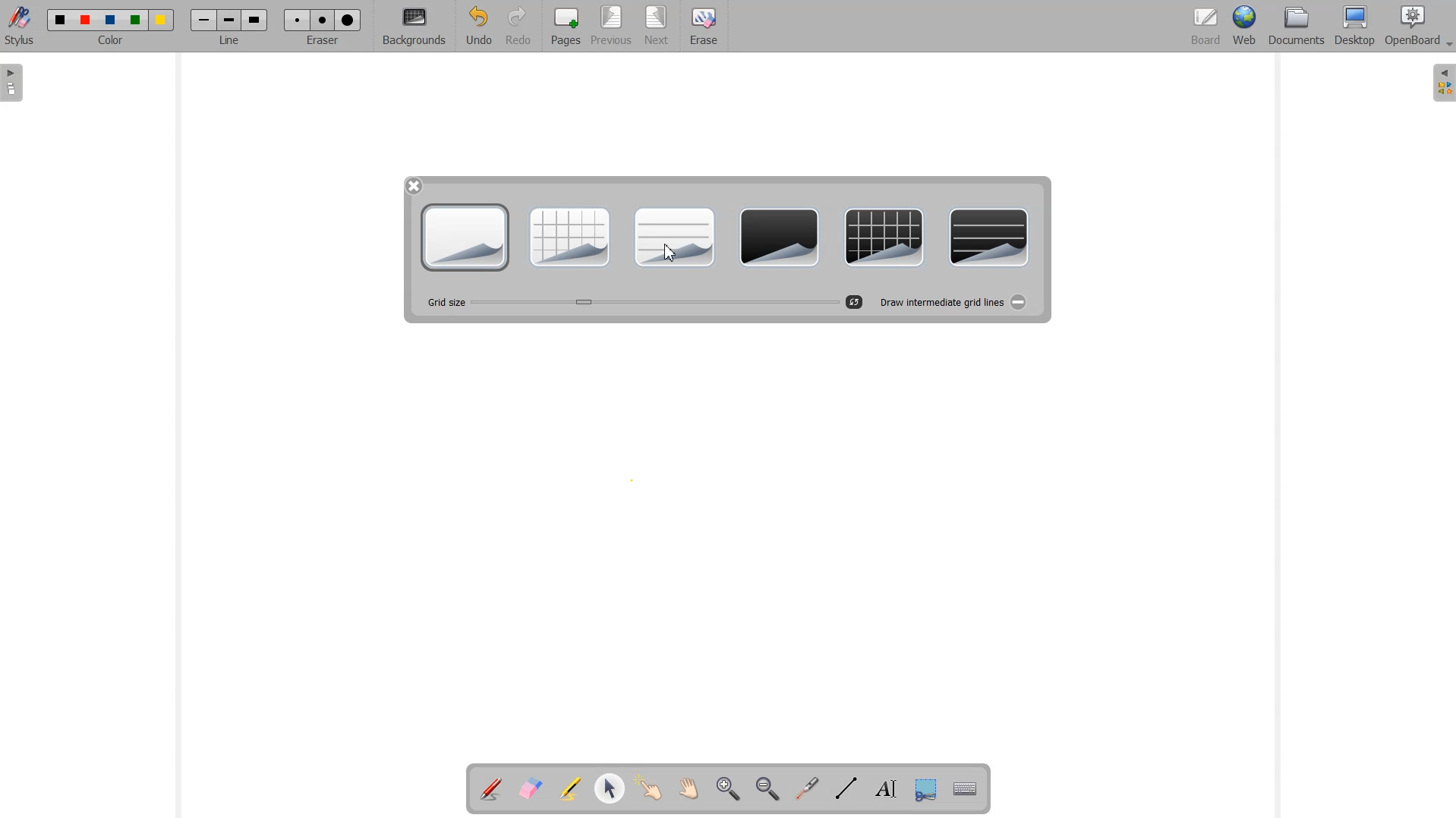  I want to click on Pages, so click(564, 26).